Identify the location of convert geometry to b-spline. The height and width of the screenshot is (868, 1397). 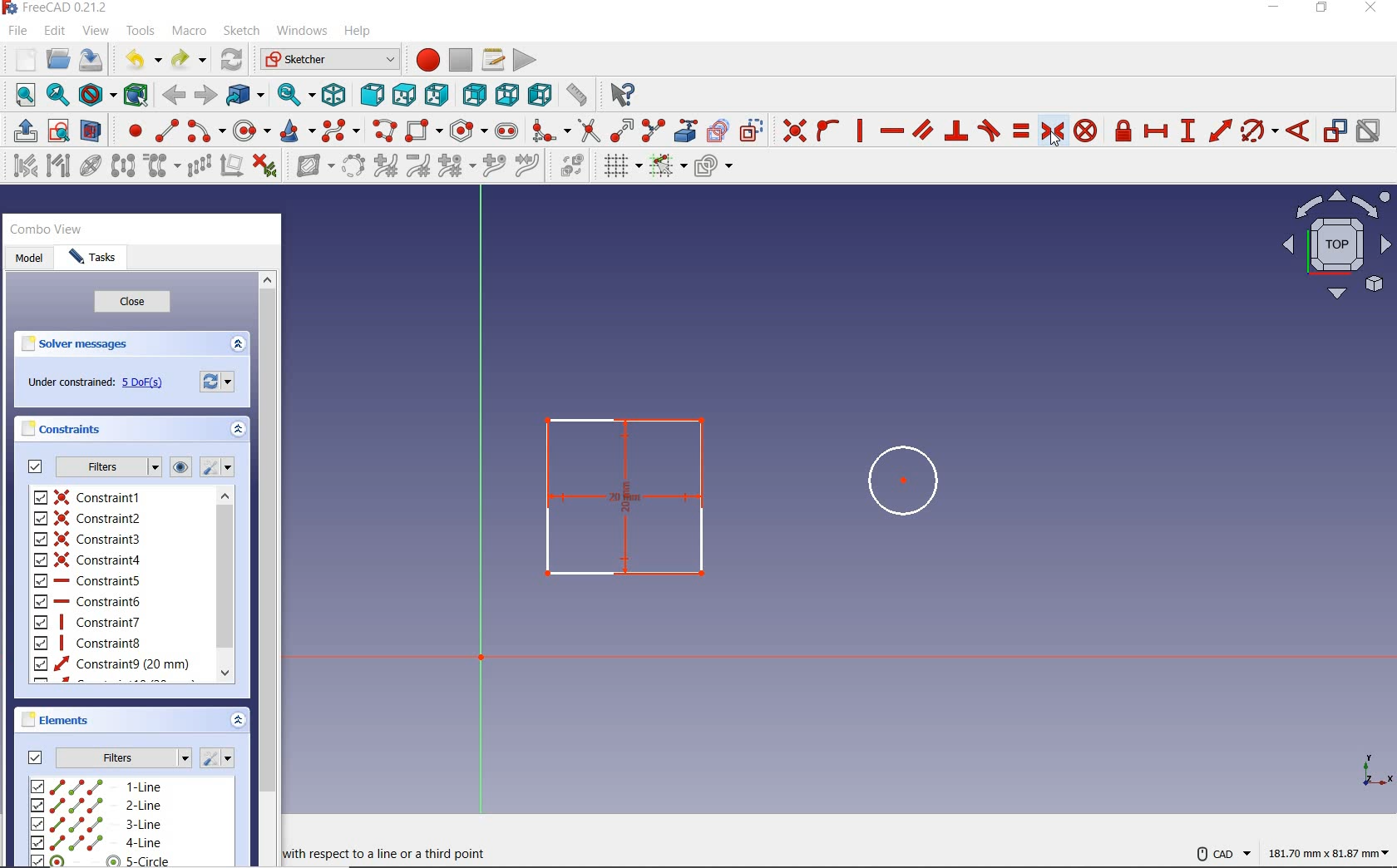
(353, 165).